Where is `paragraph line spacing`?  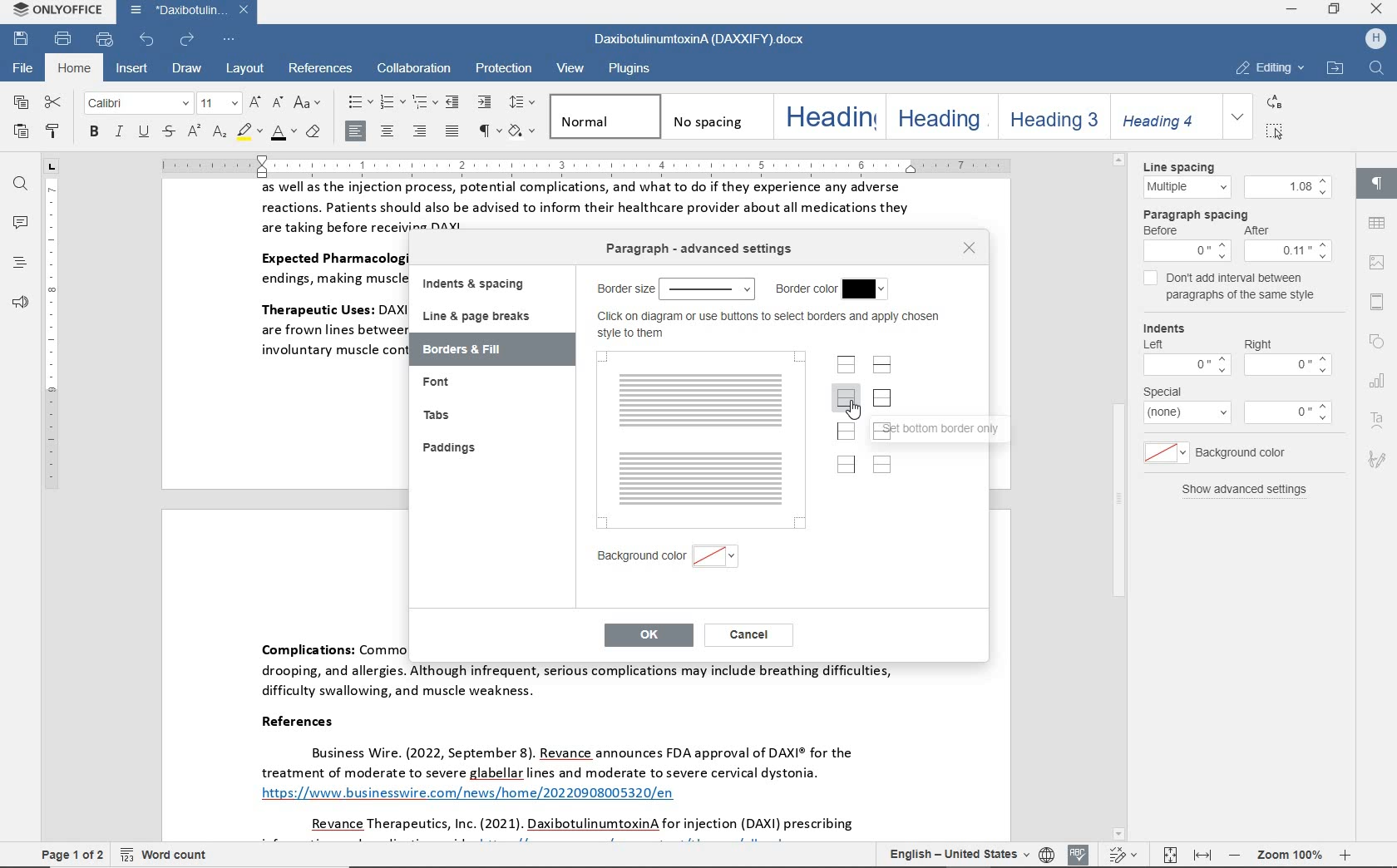 paragraph line spacing is located at coordinates (523, 102).